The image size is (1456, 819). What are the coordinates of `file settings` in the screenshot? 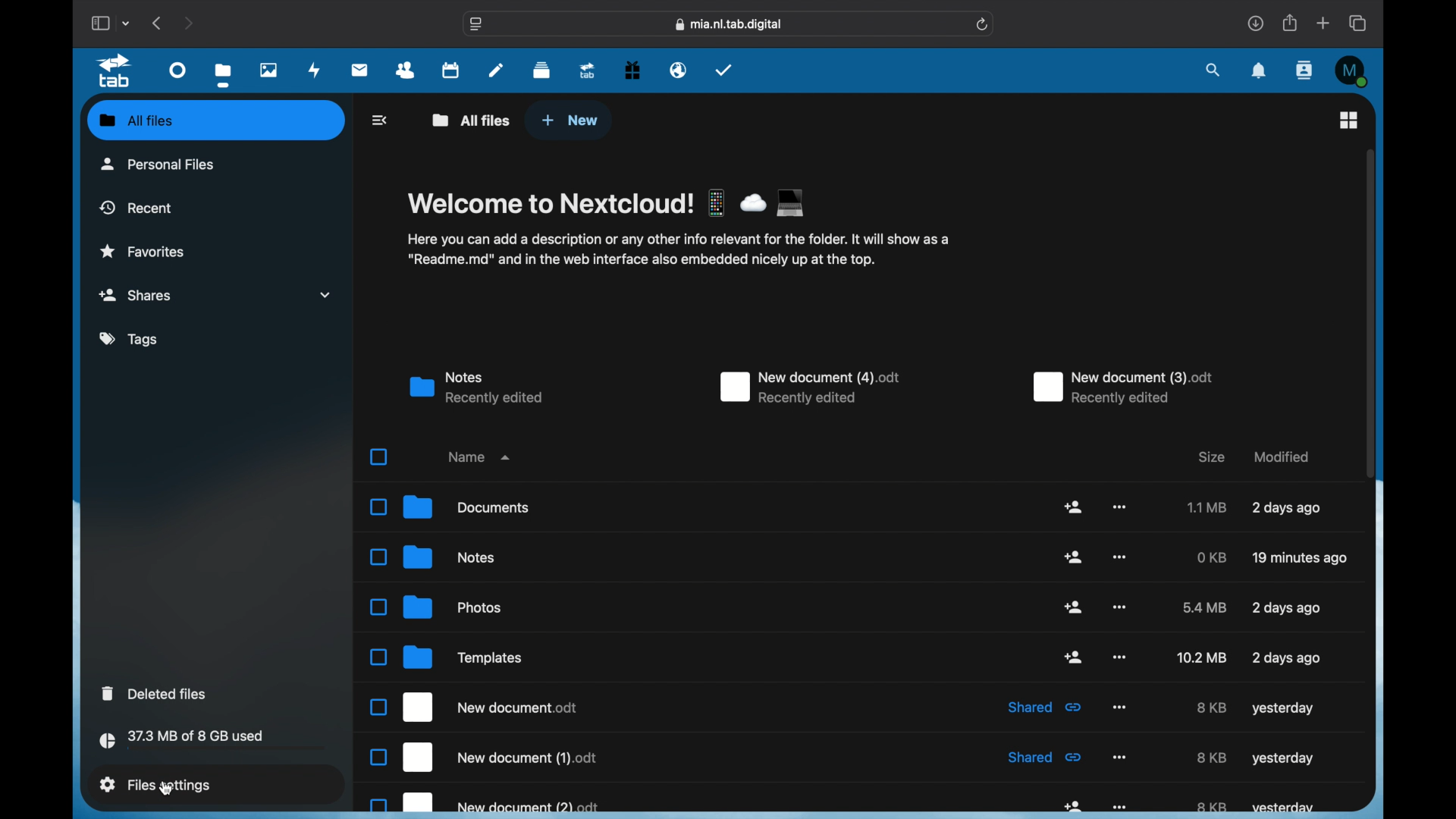 It's located at (155, 784).